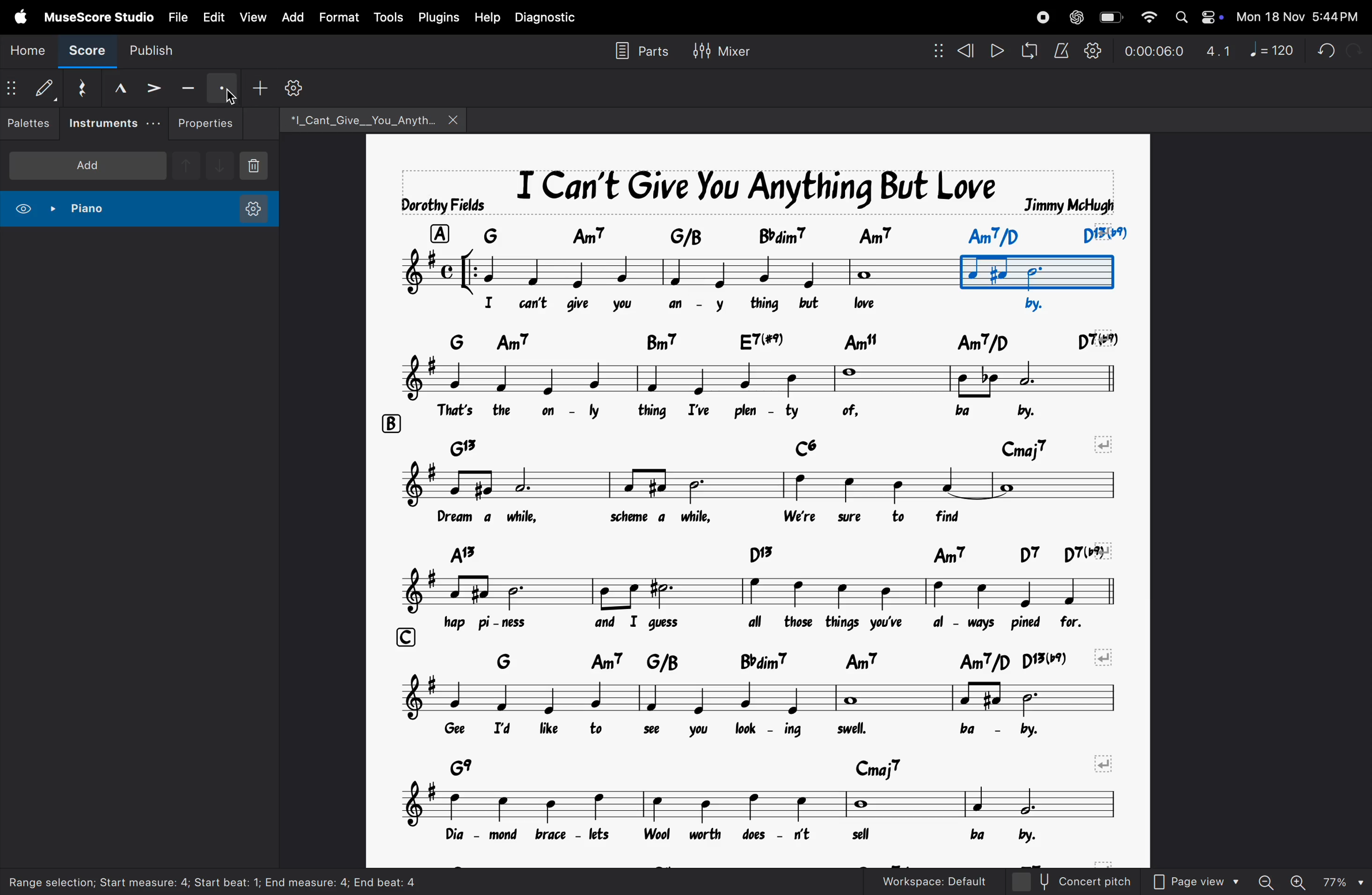 This screenshot has height=895, width=1372. What do you see at coordinates (213, 17) in the screenshot?
I see `edit` at bounding box center [213, 17].